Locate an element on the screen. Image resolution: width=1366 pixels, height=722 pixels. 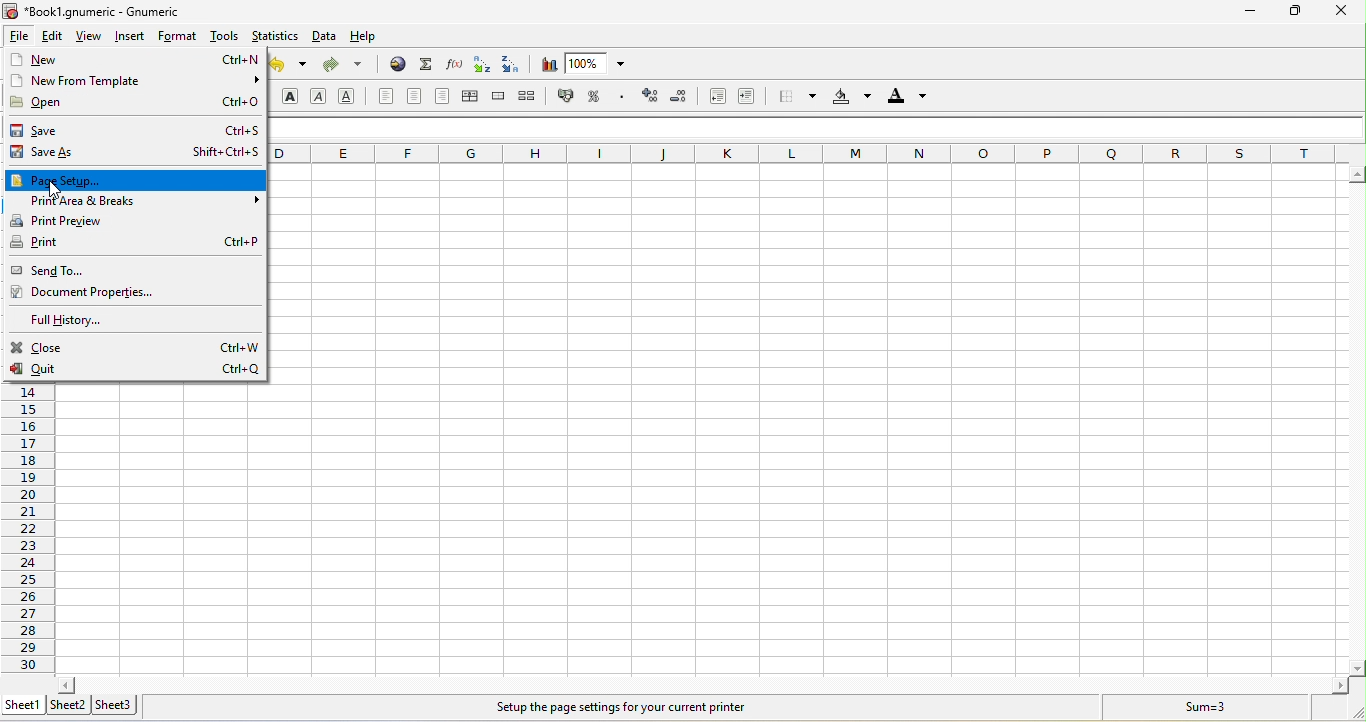
sum =3 is located at coordinates (1193, 707).